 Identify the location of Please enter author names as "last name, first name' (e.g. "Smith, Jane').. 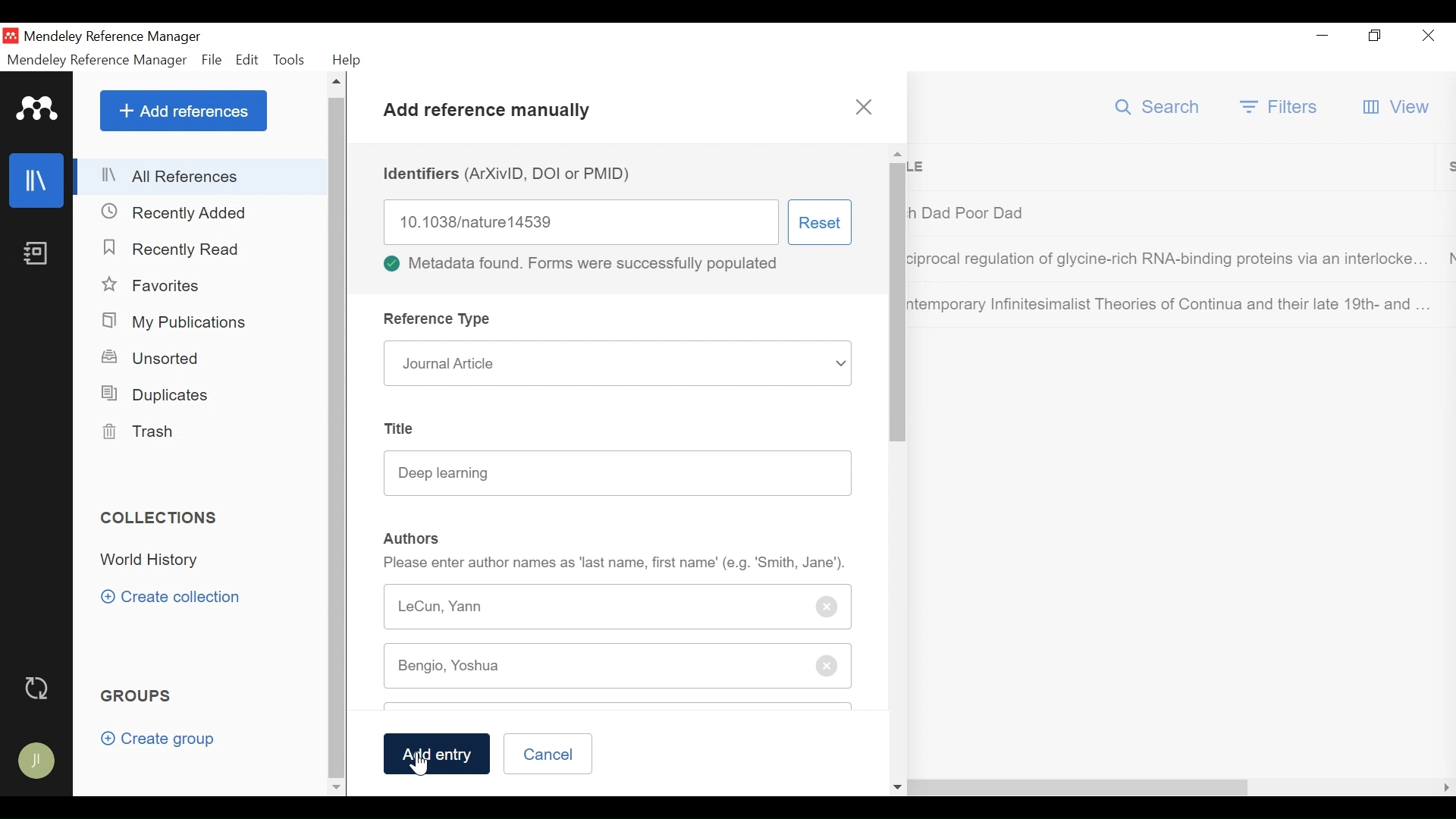
(615, 565).